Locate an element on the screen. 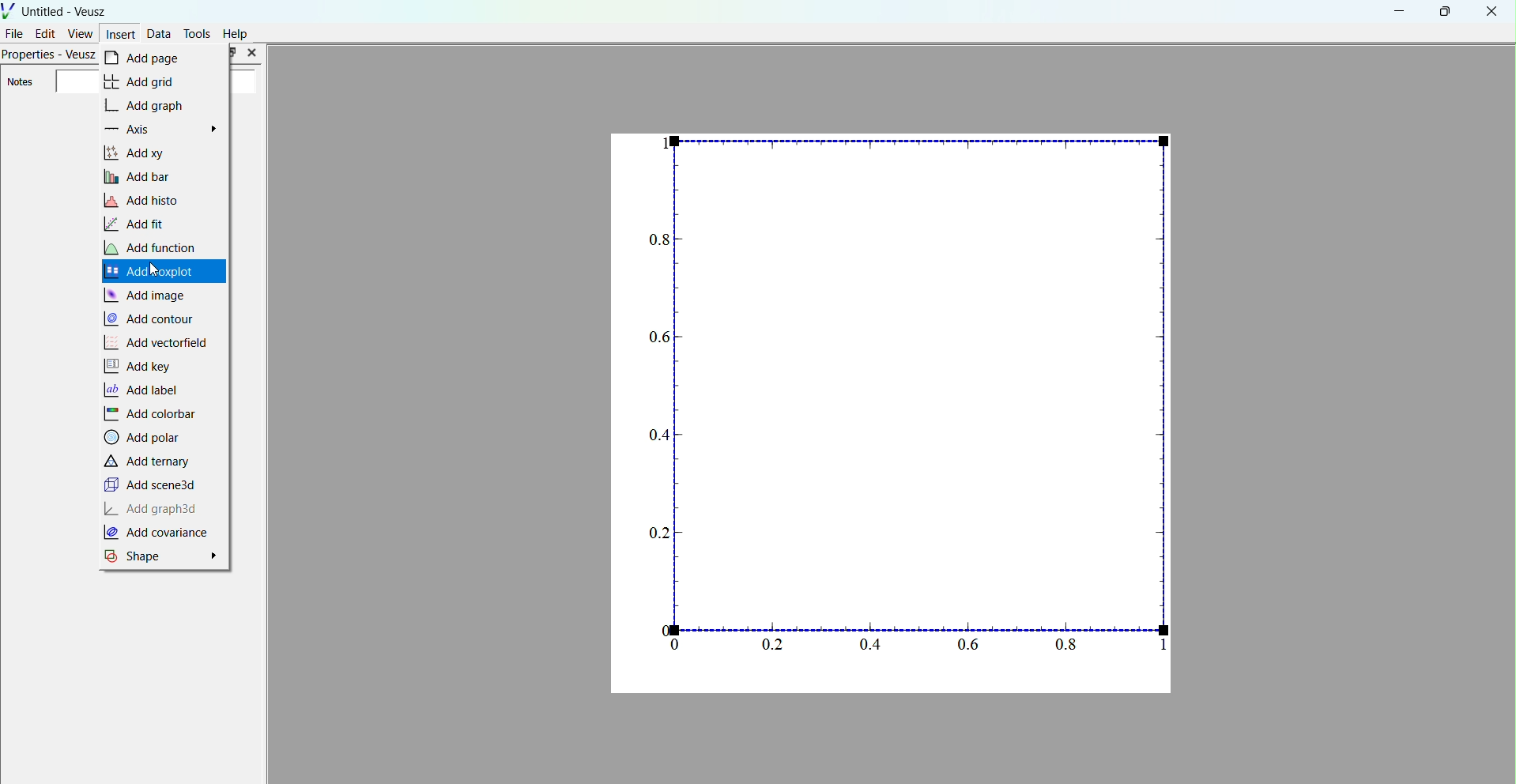  Shape is located at coordinates (164, 556).